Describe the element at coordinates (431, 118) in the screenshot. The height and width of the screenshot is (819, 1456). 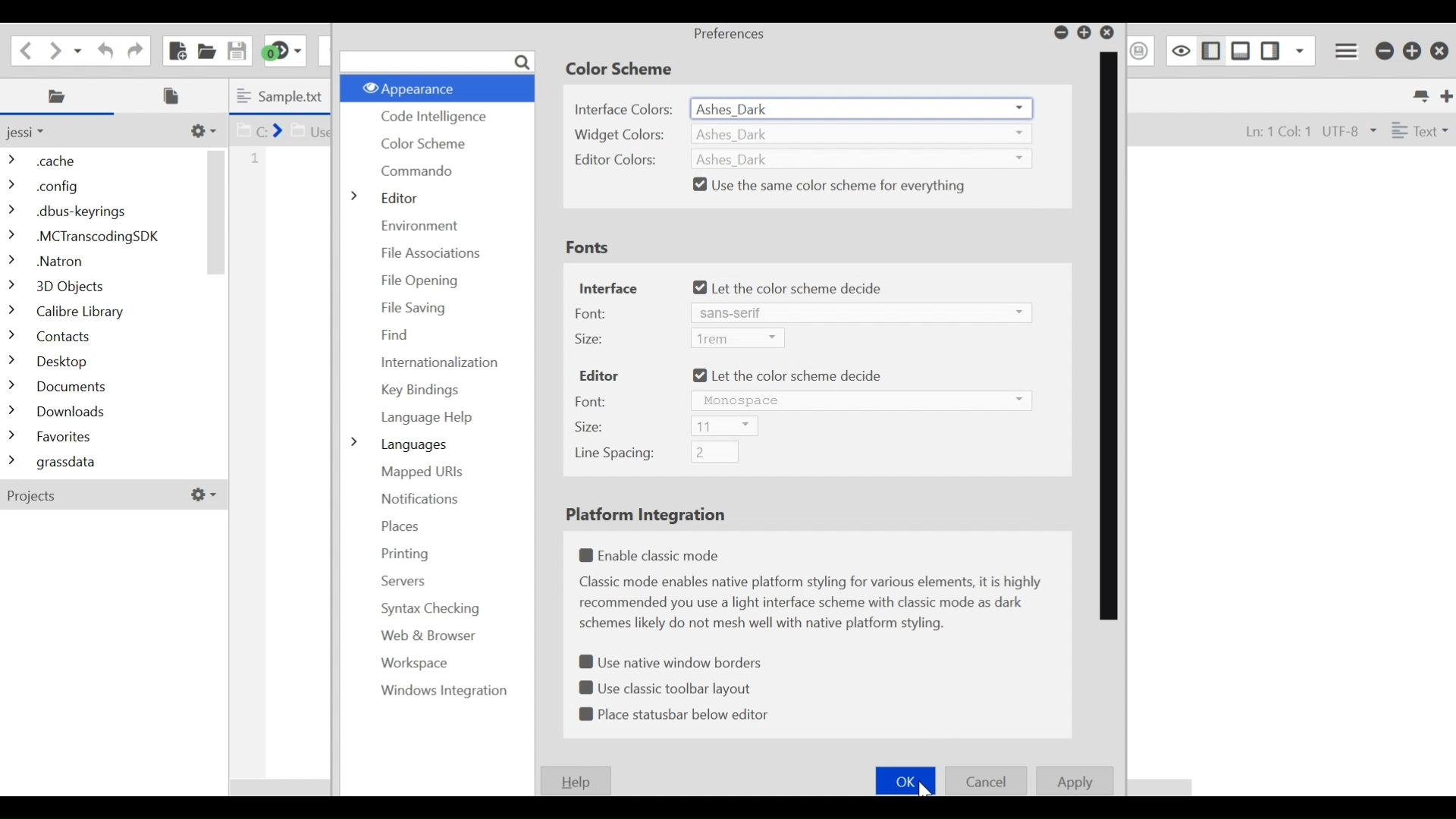
I see `Code Intelligence` at that location.